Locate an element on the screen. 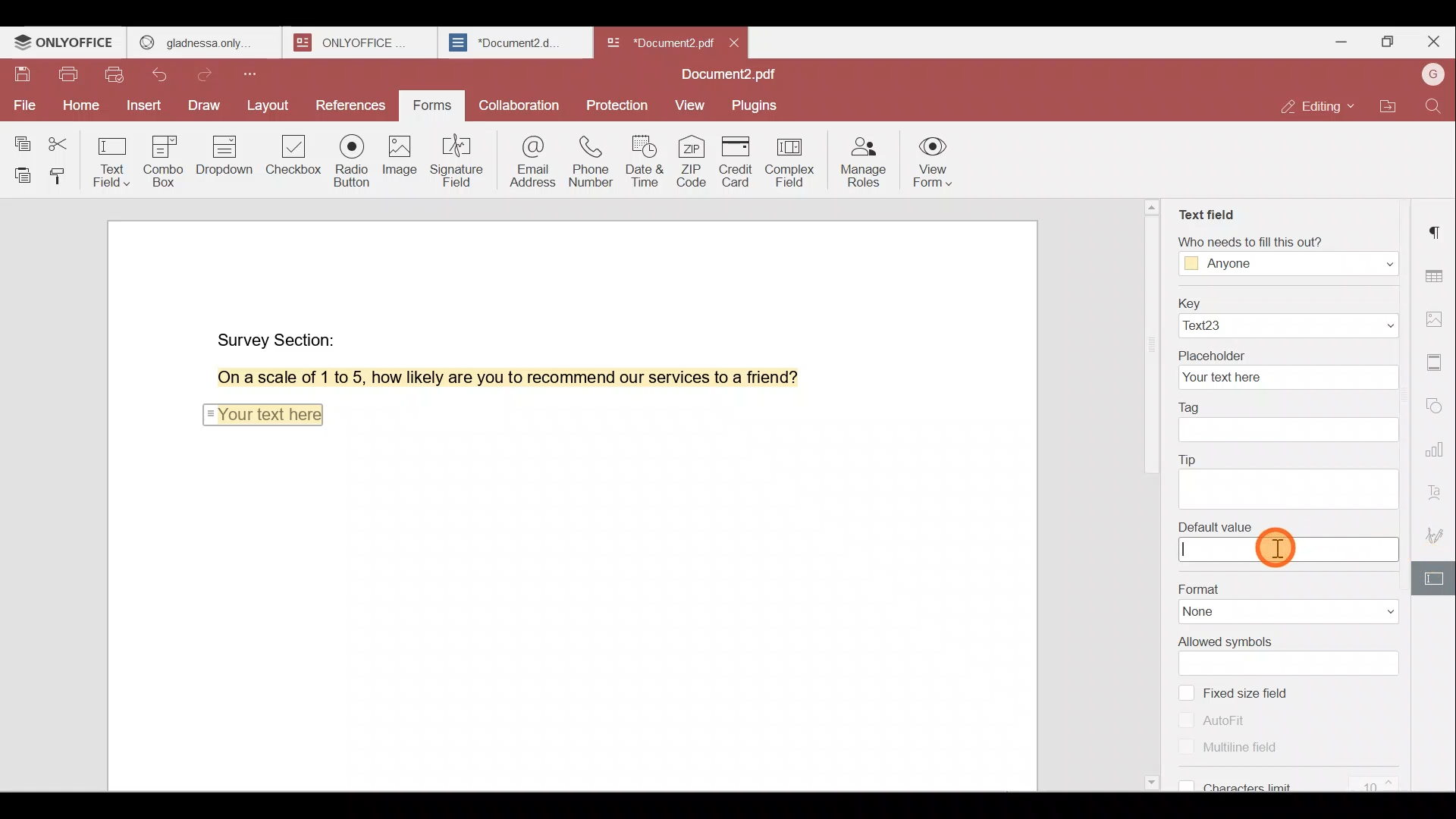 This screenshot has width=1456, height=819. Dropdown is located at coordinates (227, 155).